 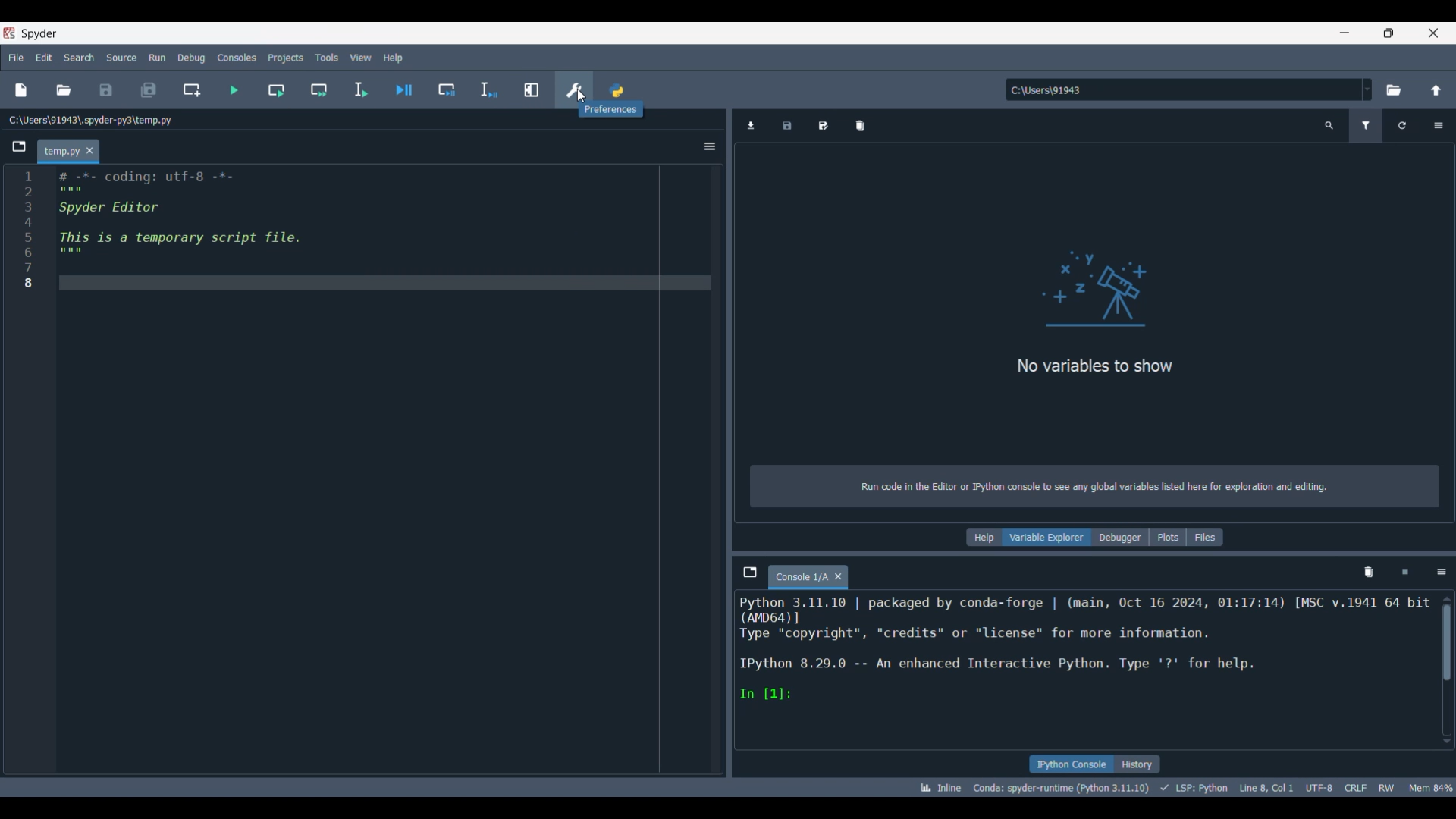 What do you see at coordinates (750, 572) in the screenshot?
I see `Browse tabs` at bounding box center [750, 572].